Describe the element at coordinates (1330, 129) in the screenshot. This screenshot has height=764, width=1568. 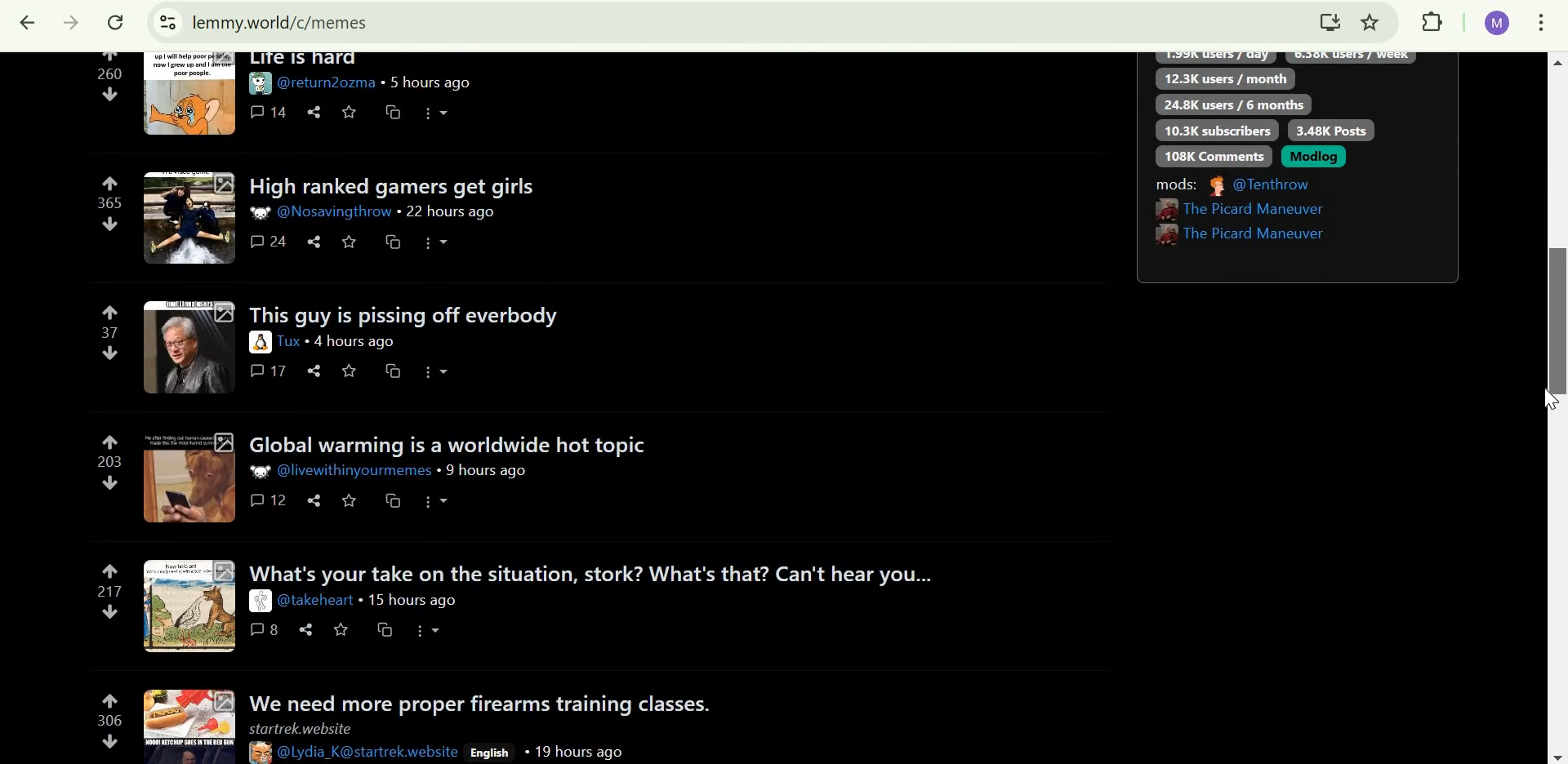
I see `3.48K posts` at that location.